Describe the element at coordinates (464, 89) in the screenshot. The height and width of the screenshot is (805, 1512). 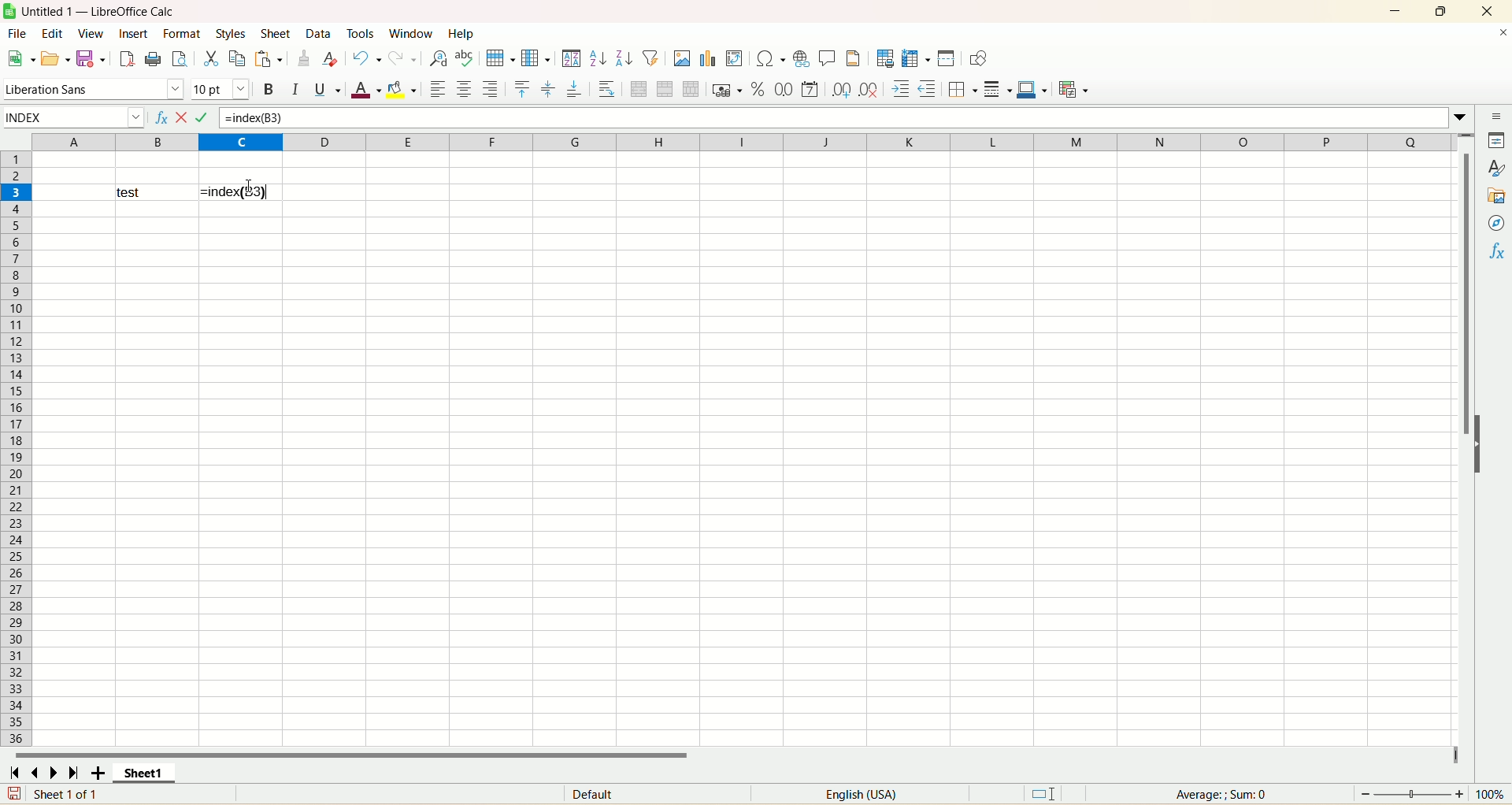
I see `align center` at that location.